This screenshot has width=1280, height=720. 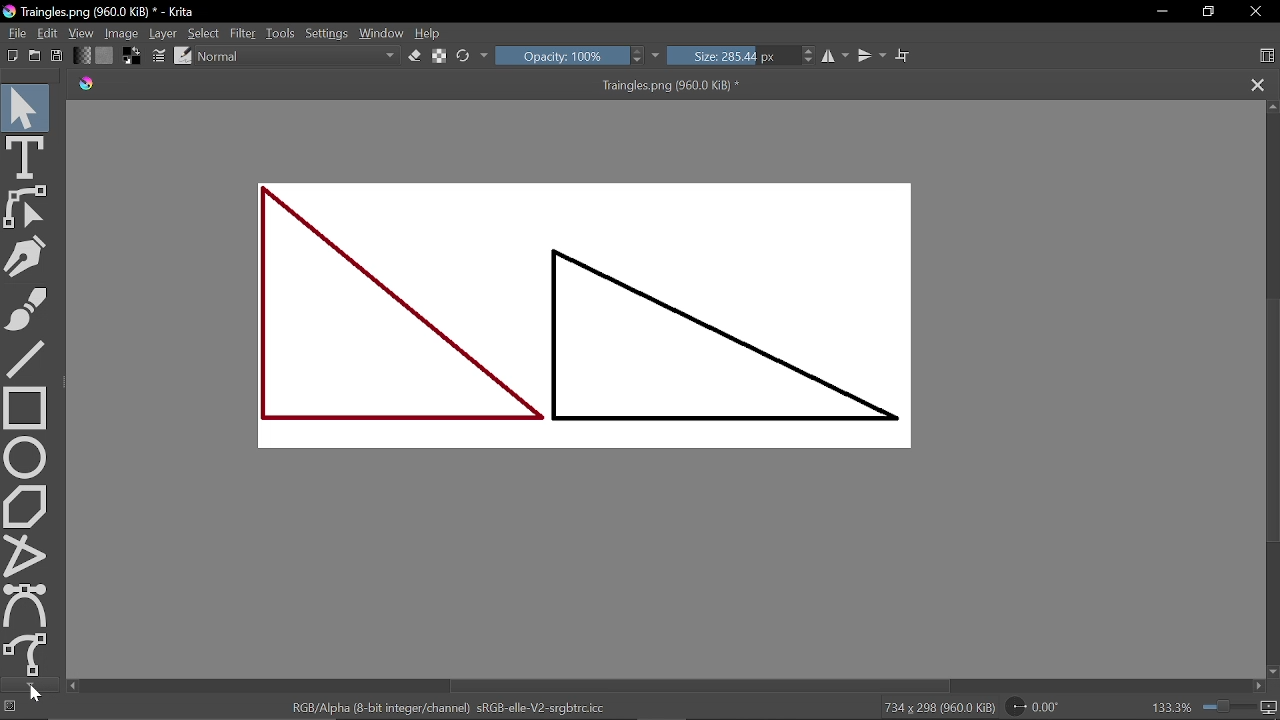 What do you see at coordinates (1254, 84) in the screenshot?
I see `Close tab` at bounding box center [1254, 84].